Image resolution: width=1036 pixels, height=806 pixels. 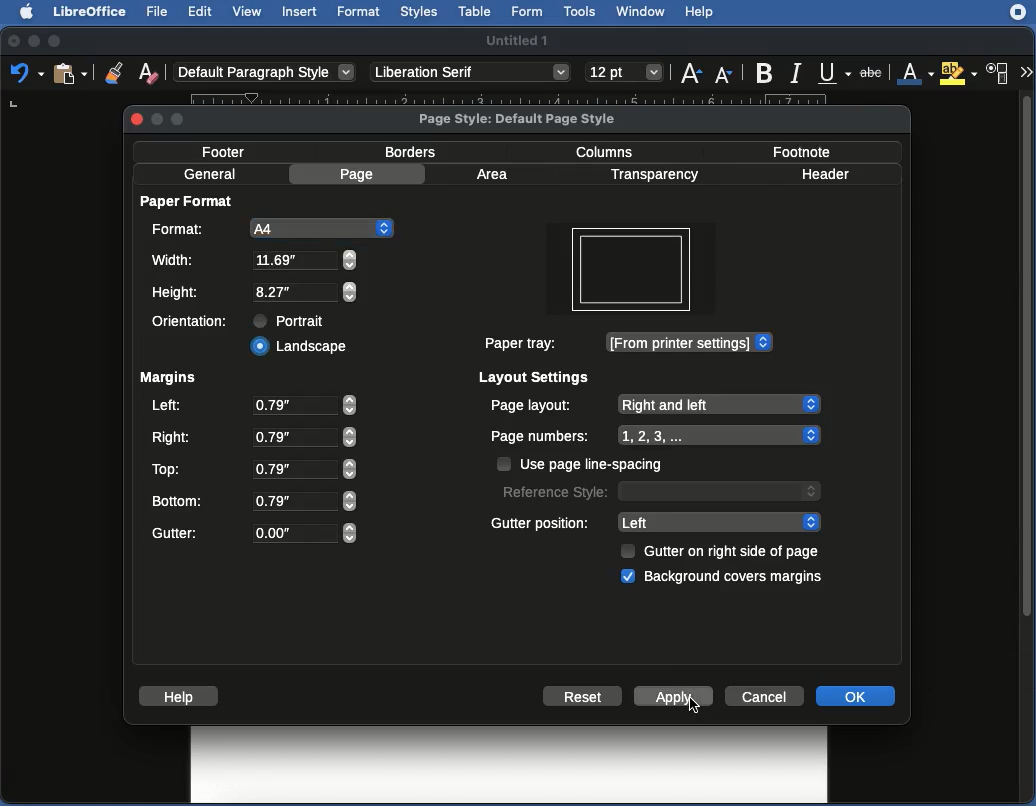 I want to click on Underline, so click(x=831, y=72).